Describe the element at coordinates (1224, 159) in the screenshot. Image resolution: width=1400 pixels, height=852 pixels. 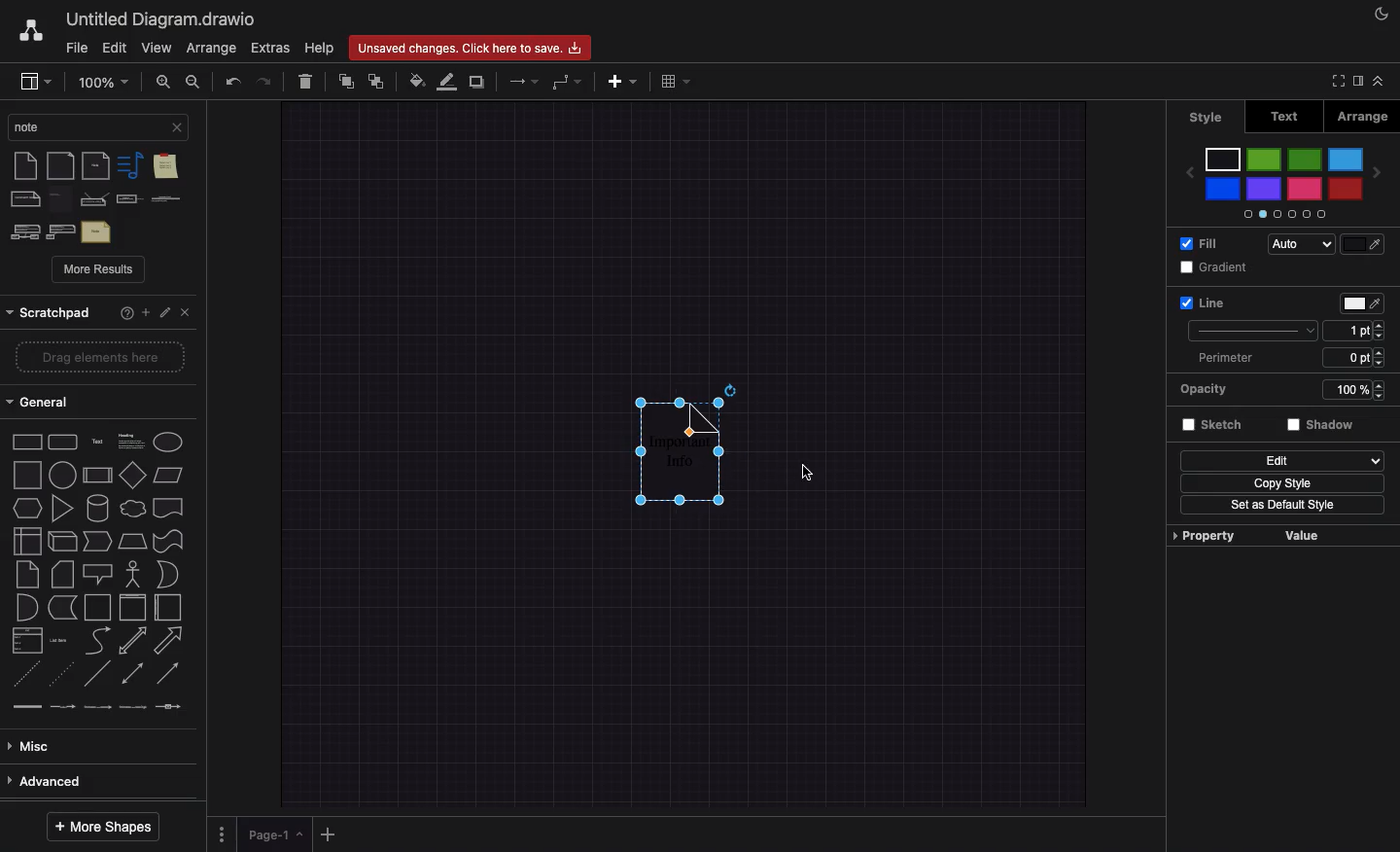
I see `black` at that location.